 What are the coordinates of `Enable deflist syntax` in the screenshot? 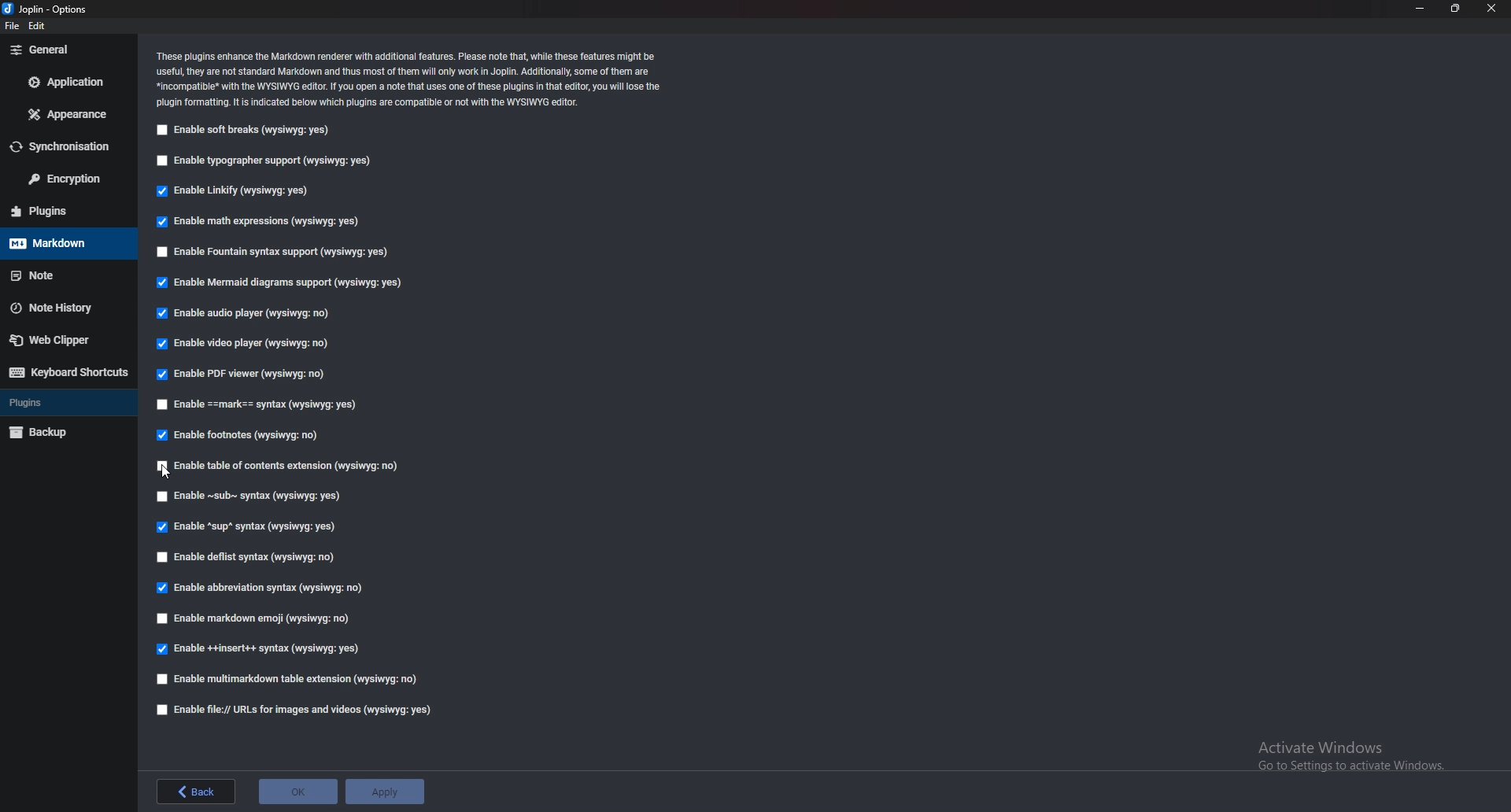 It's located at (254, 555).